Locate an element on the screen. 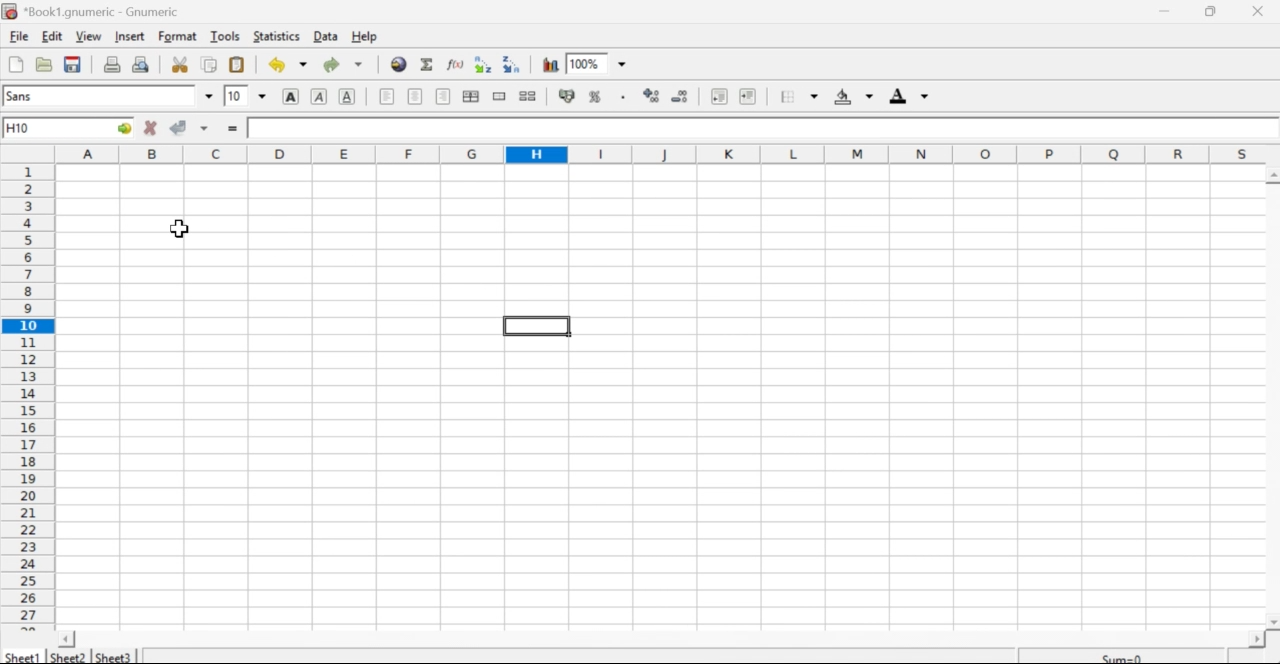 This screenshot has height=664, width=1280. Sheet 2 is located at coordinates (70, 657).